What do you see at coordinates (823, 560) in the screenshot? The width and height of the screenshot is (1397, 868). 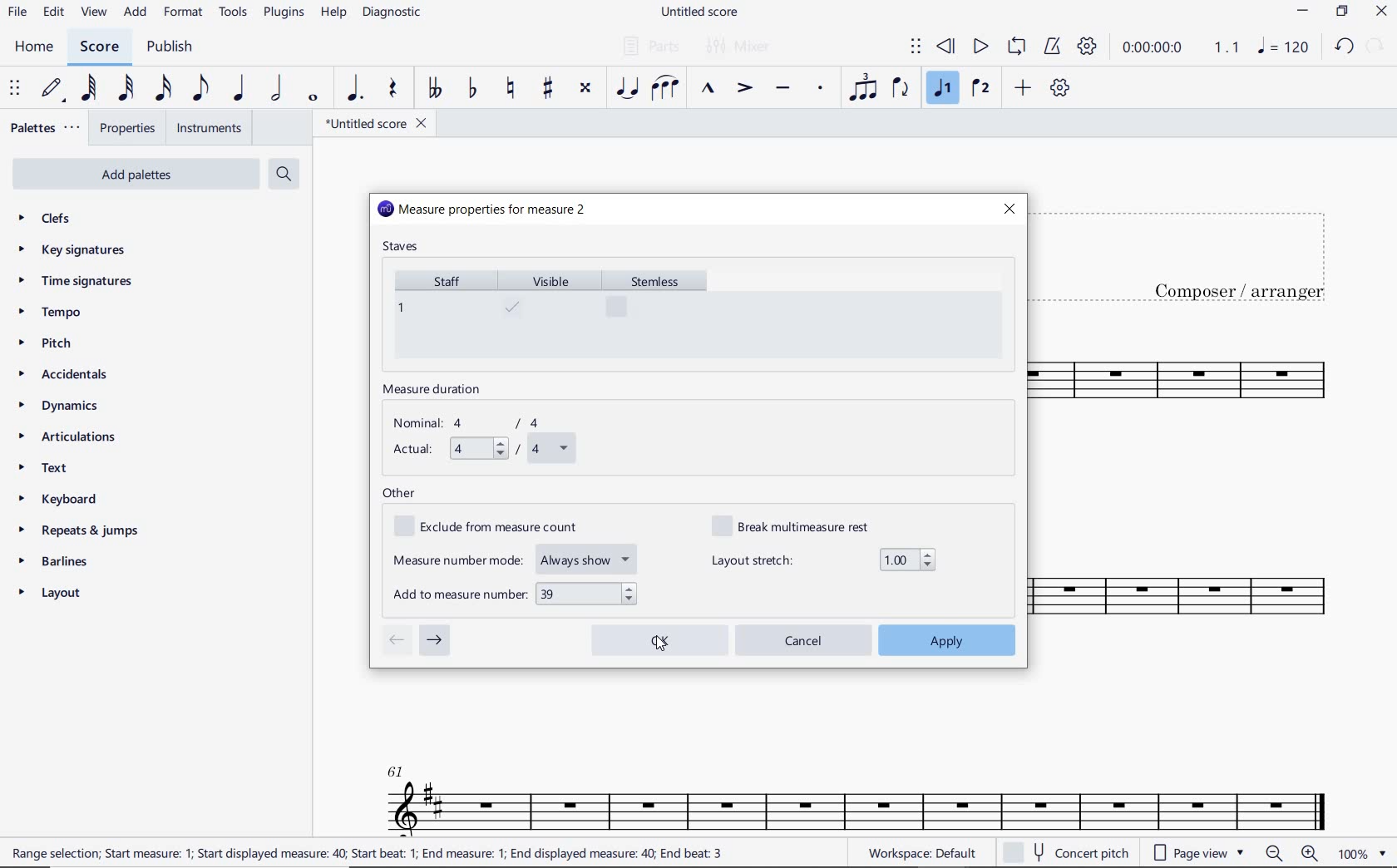 I see `layout stretch` at bounding box center [823, 560].